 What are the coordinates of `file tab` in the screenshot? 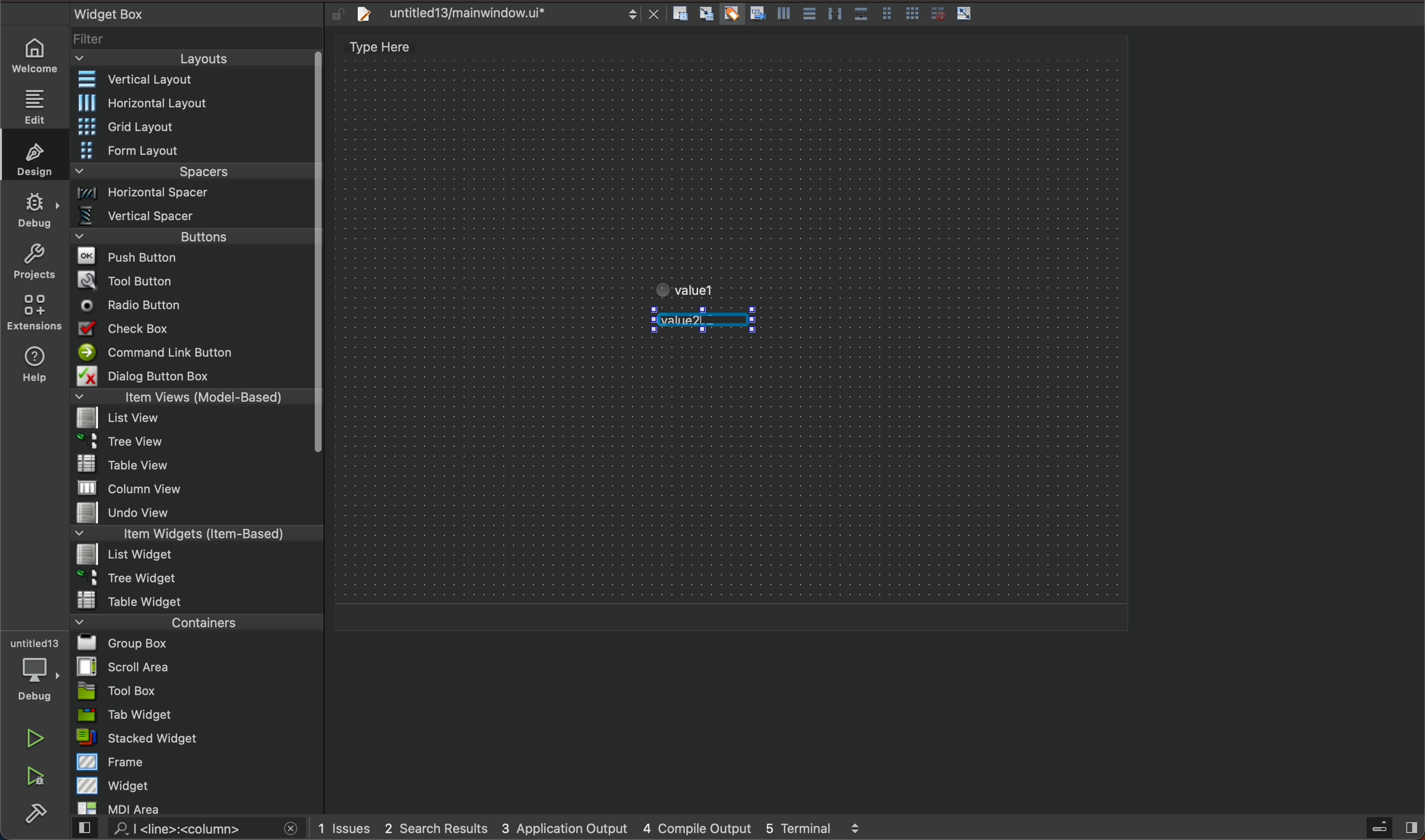 It's located at (504, 14).